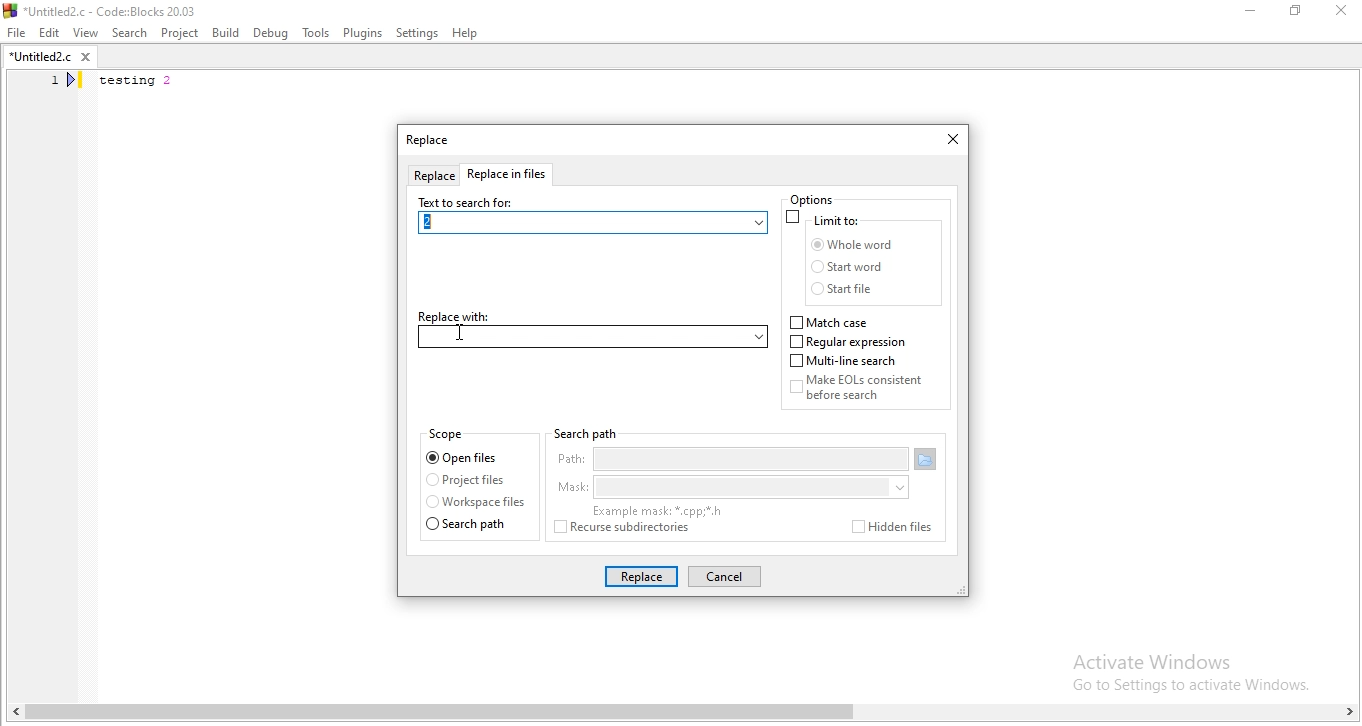 This screenshot has width=1362, height=726. What do you see at coordinates (631, 530) in the screenshot?
I see `rescue subdirectories` at bounding box center [631, 530].